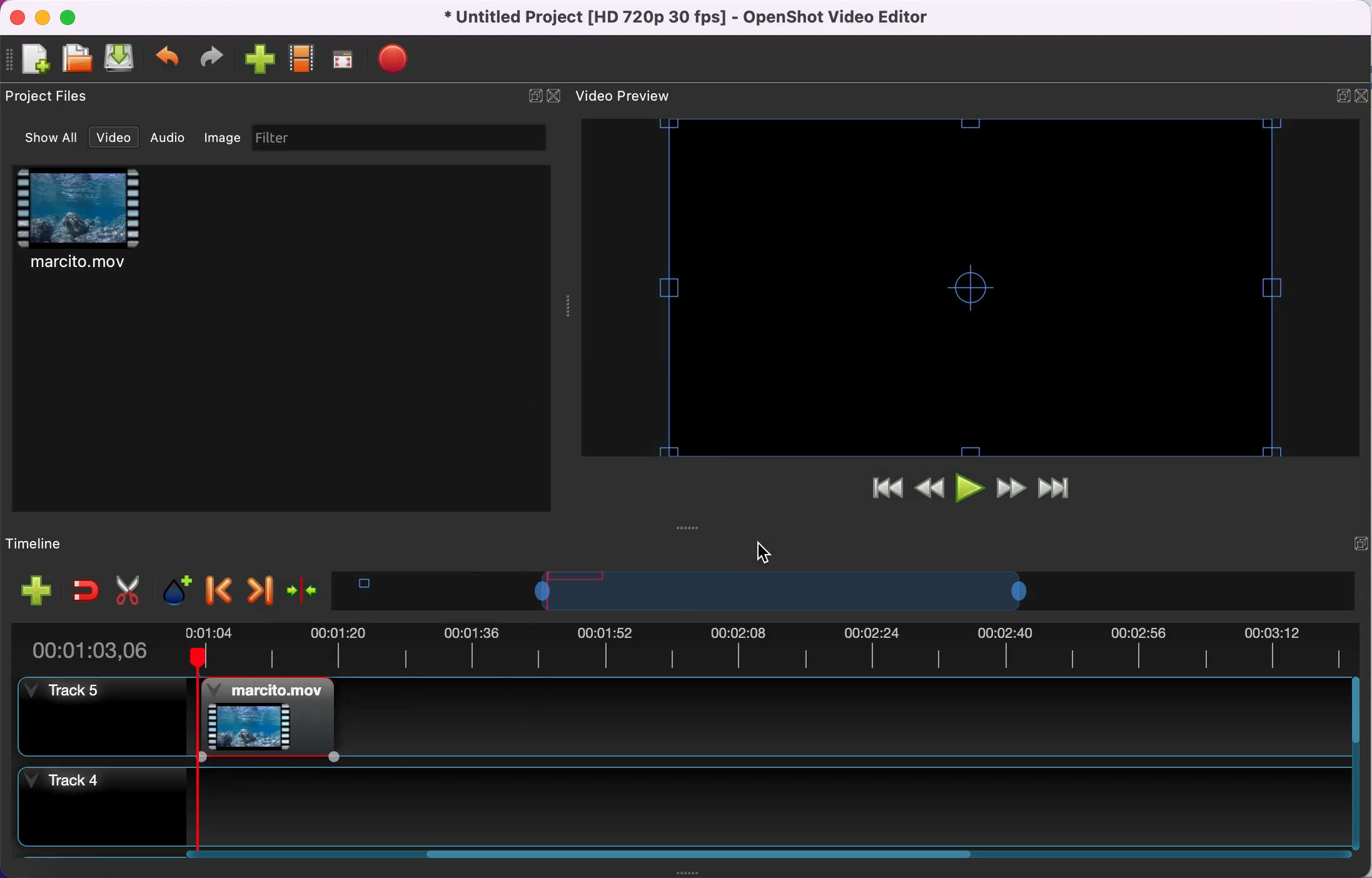 The image size is (1372, 878). Describe the element at coordinates (794, 593) in the screenshot. I see `timeline` at that location.